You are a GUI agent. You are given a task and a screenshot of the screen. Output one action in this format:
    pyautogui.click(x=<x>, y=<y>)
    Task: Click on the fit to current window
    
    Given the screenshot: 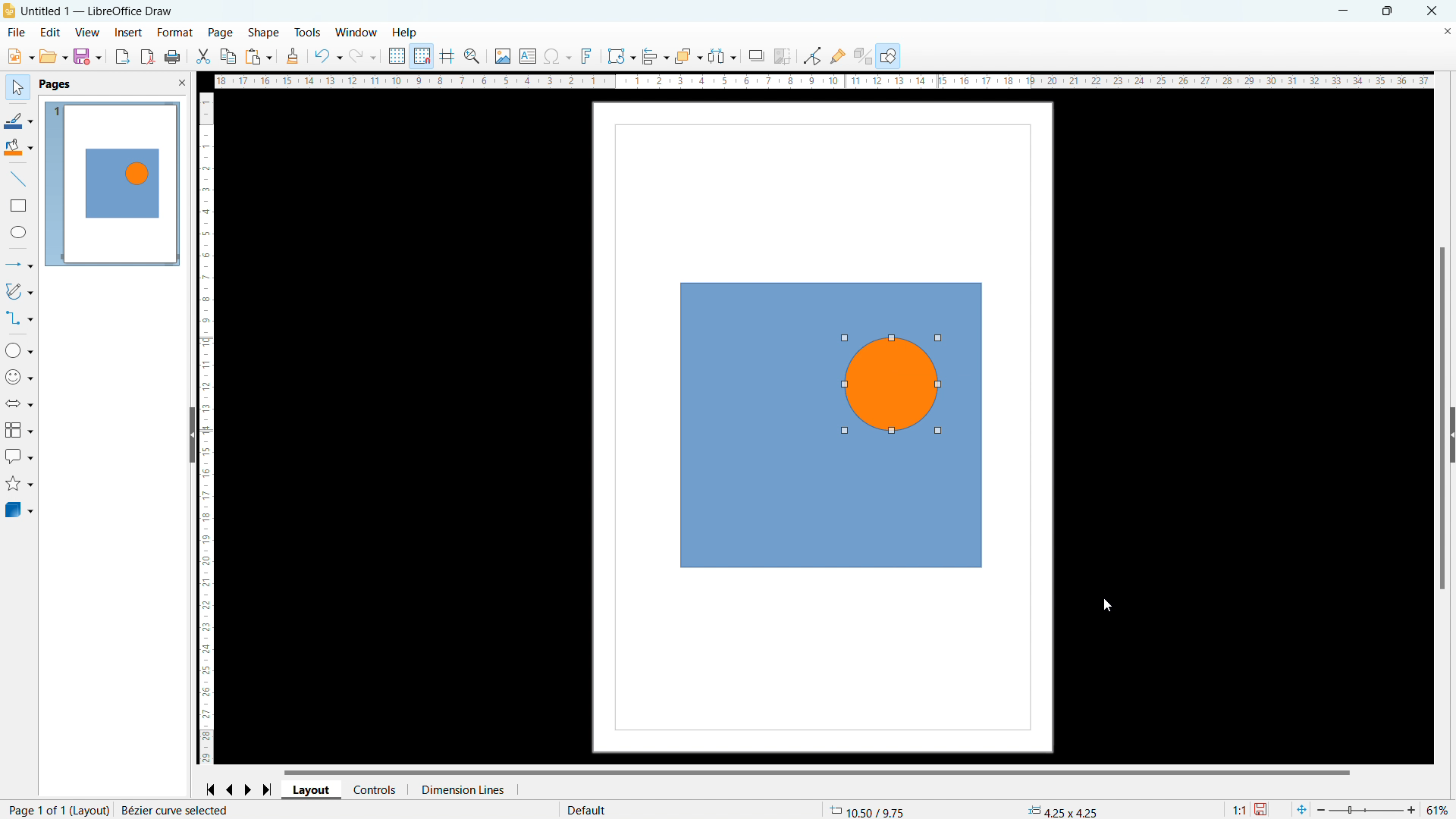 What is the action you would take?
    pyautogui.click(x=1301, y=809)
    